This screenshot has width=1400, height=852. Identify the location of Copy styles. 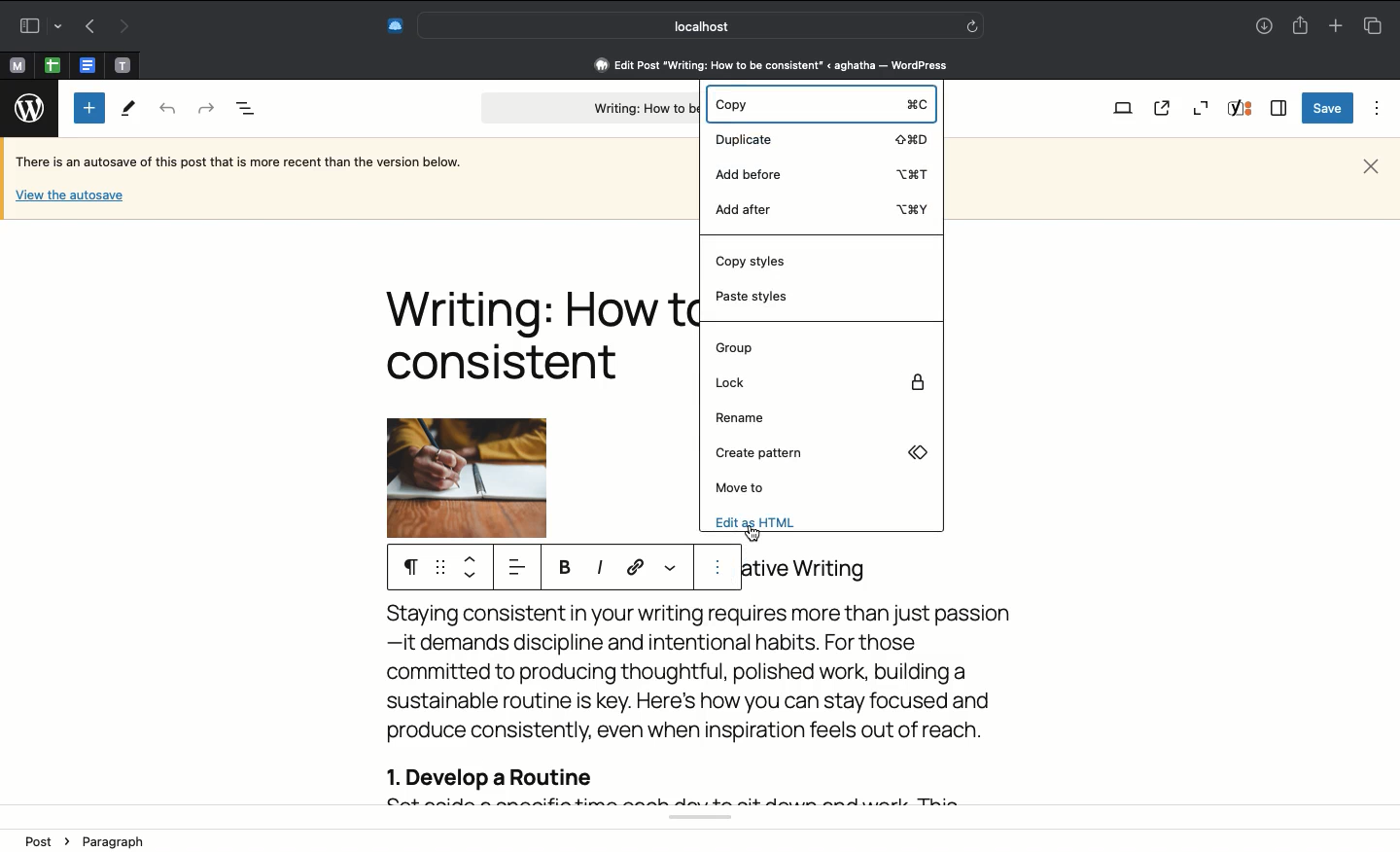
(758, 262).